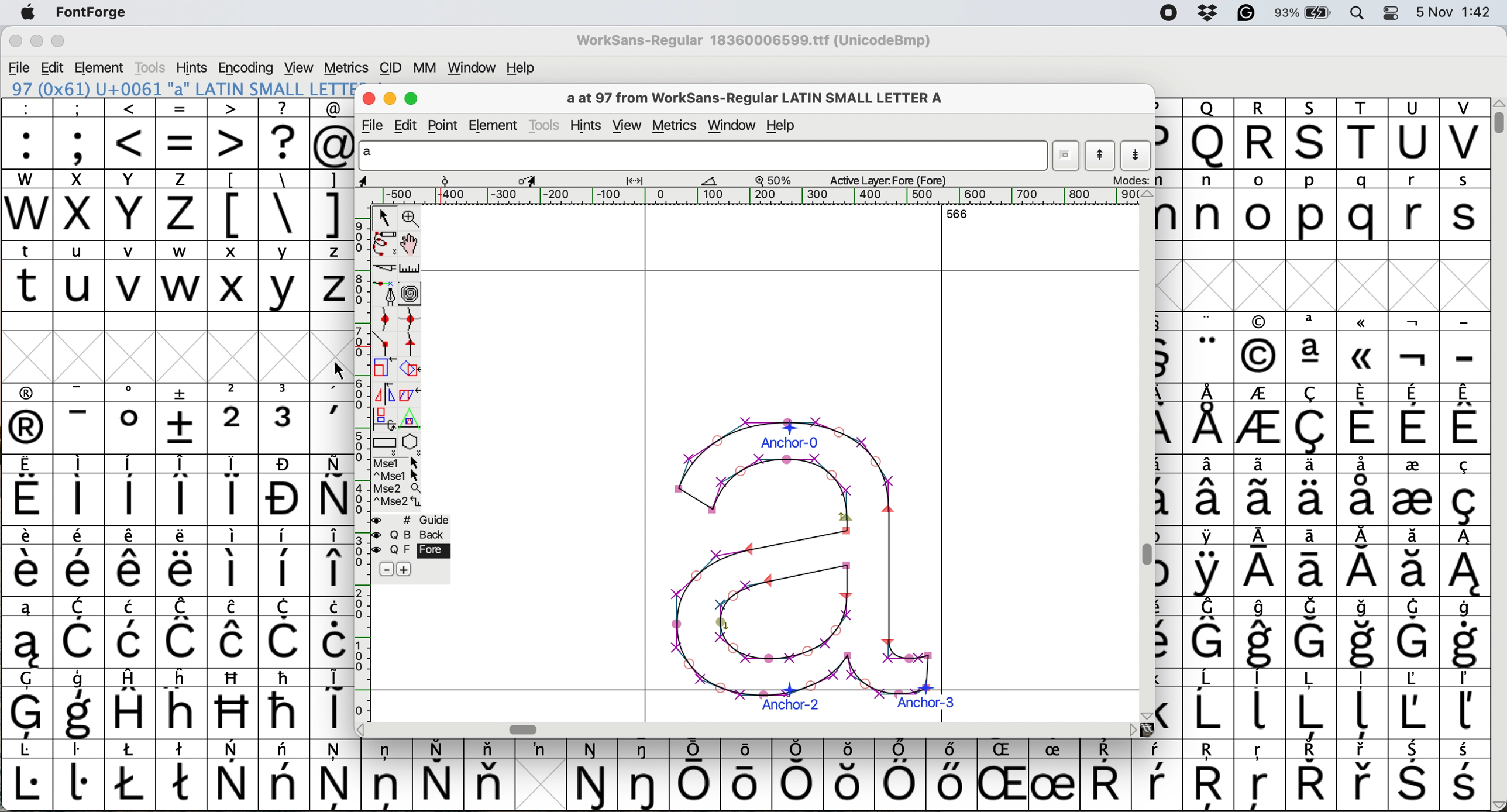 This screenshot has height=812, width=1507. Describe the element at coordinates (233, 418) in the screenshot. I see `2` at that location.